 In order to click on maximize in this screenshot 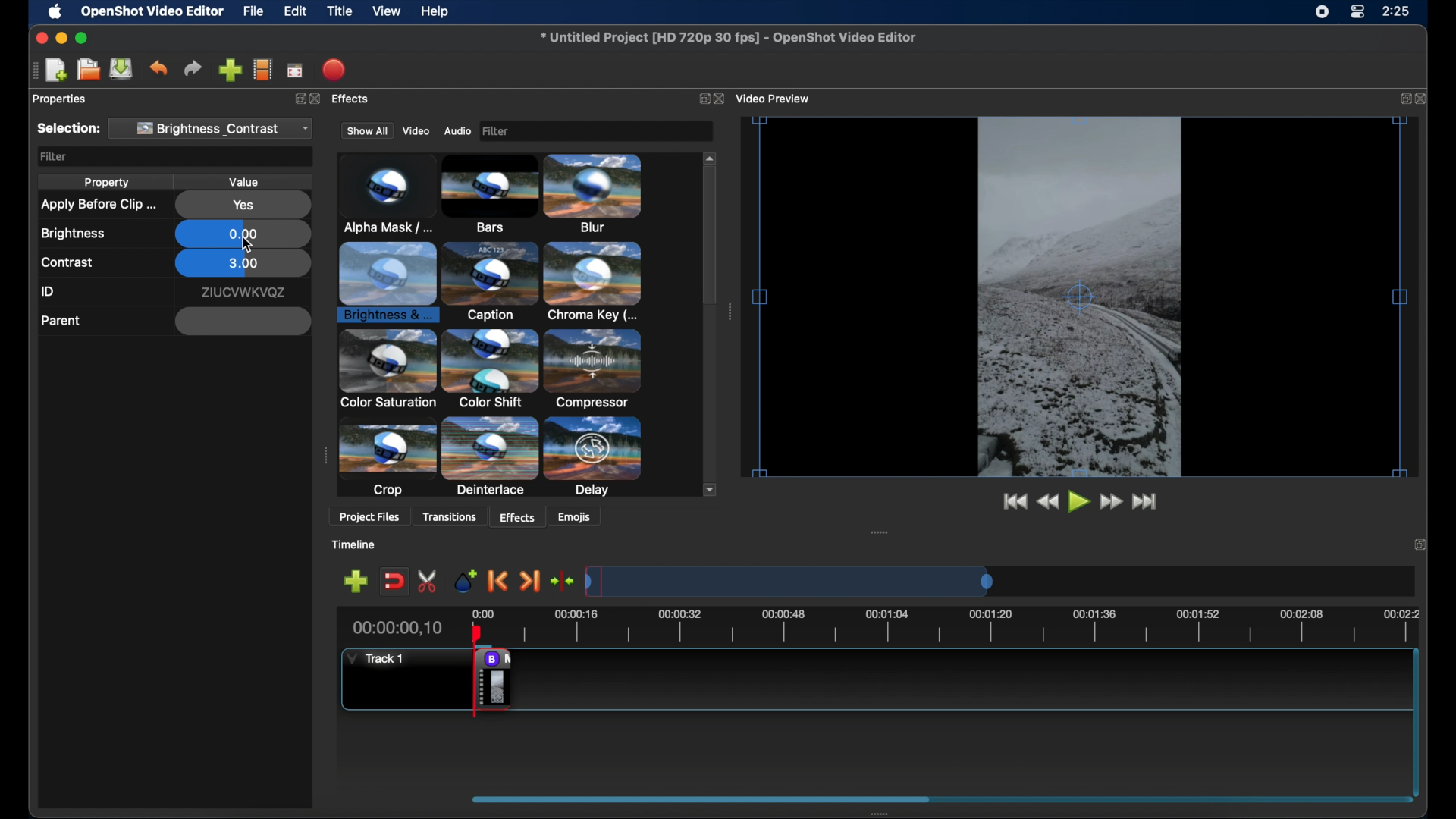, I will do `click(83, 38)`.